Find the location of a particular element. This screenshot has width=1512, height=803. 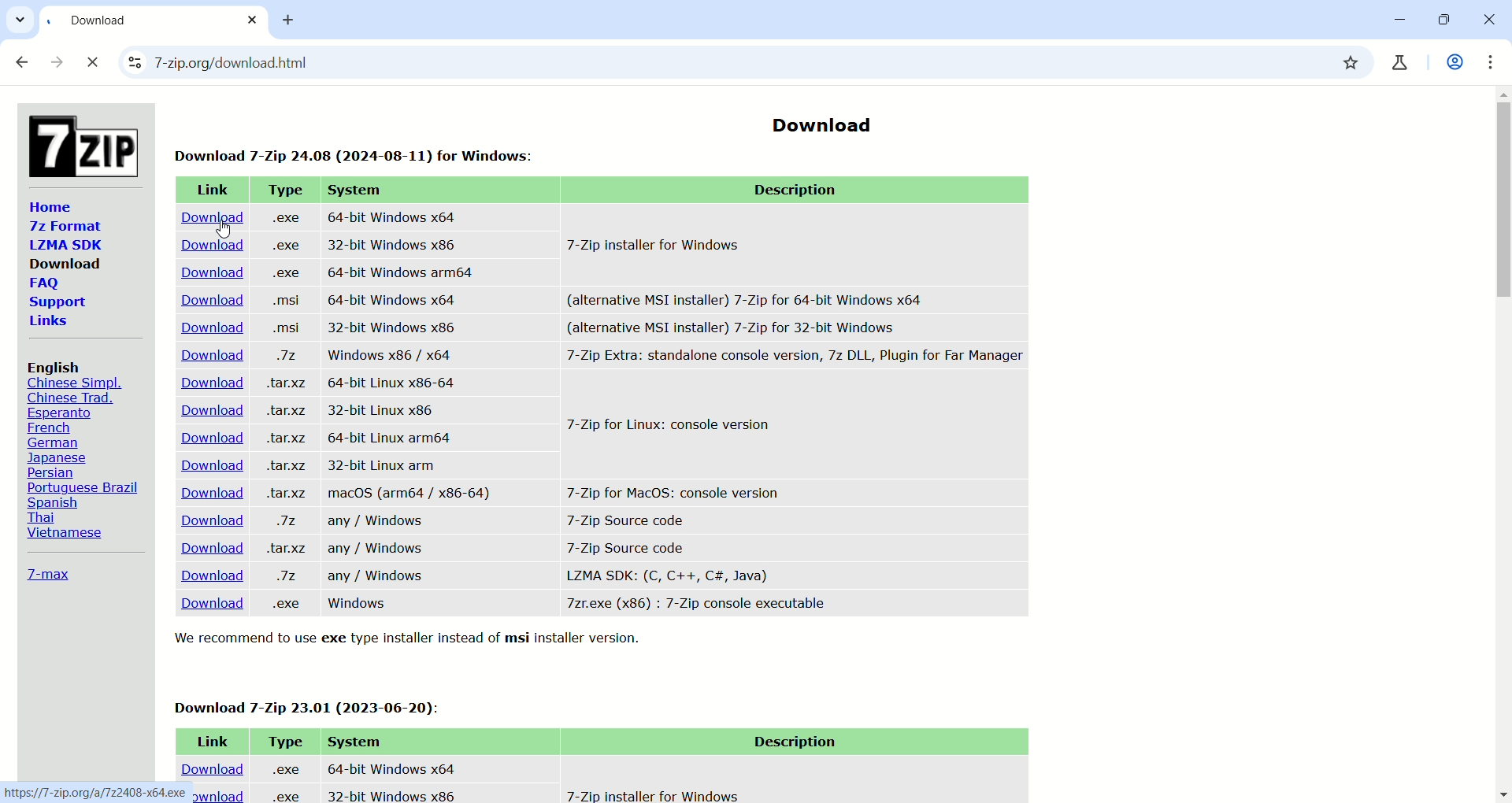

(alternative MSI installer) 7-Zip for 64-bit Windows x64 is located at coordinates (747, 297).